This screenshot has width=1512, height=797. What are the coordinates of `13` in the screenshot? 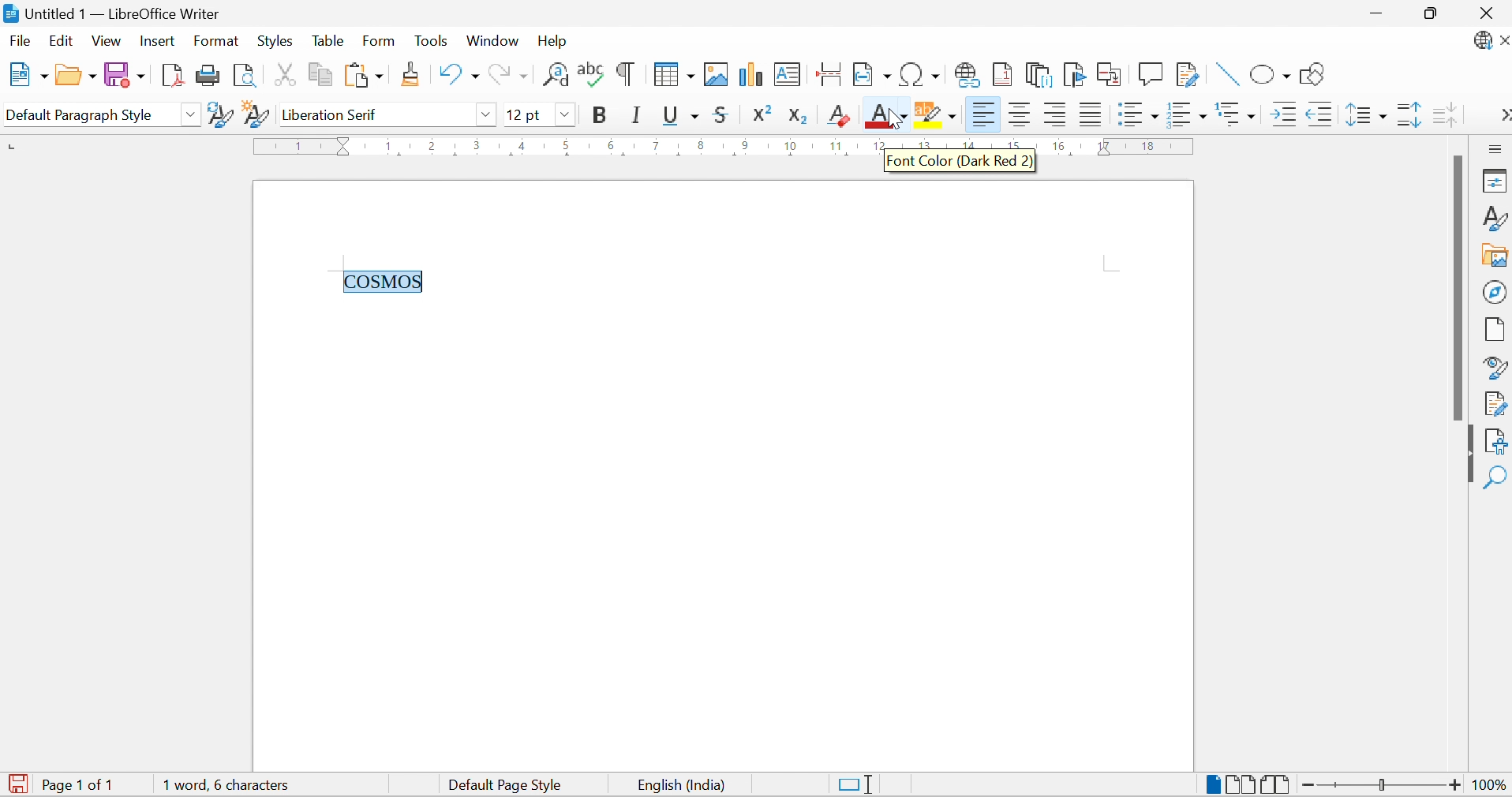 It's located at (923, 144).